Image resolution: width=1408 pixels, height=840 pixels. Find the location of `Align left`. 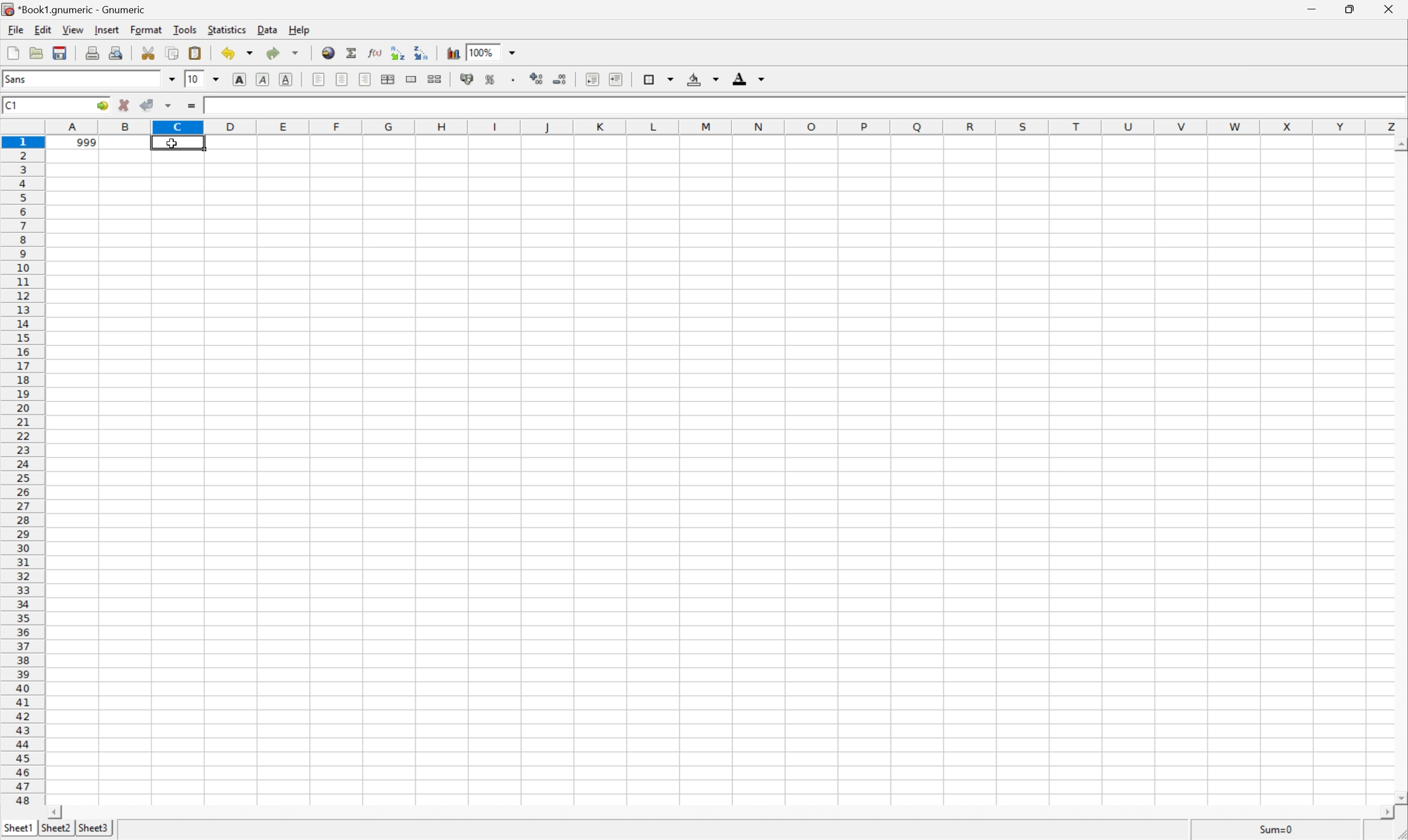

Align left is located at coordinates (318, 80).